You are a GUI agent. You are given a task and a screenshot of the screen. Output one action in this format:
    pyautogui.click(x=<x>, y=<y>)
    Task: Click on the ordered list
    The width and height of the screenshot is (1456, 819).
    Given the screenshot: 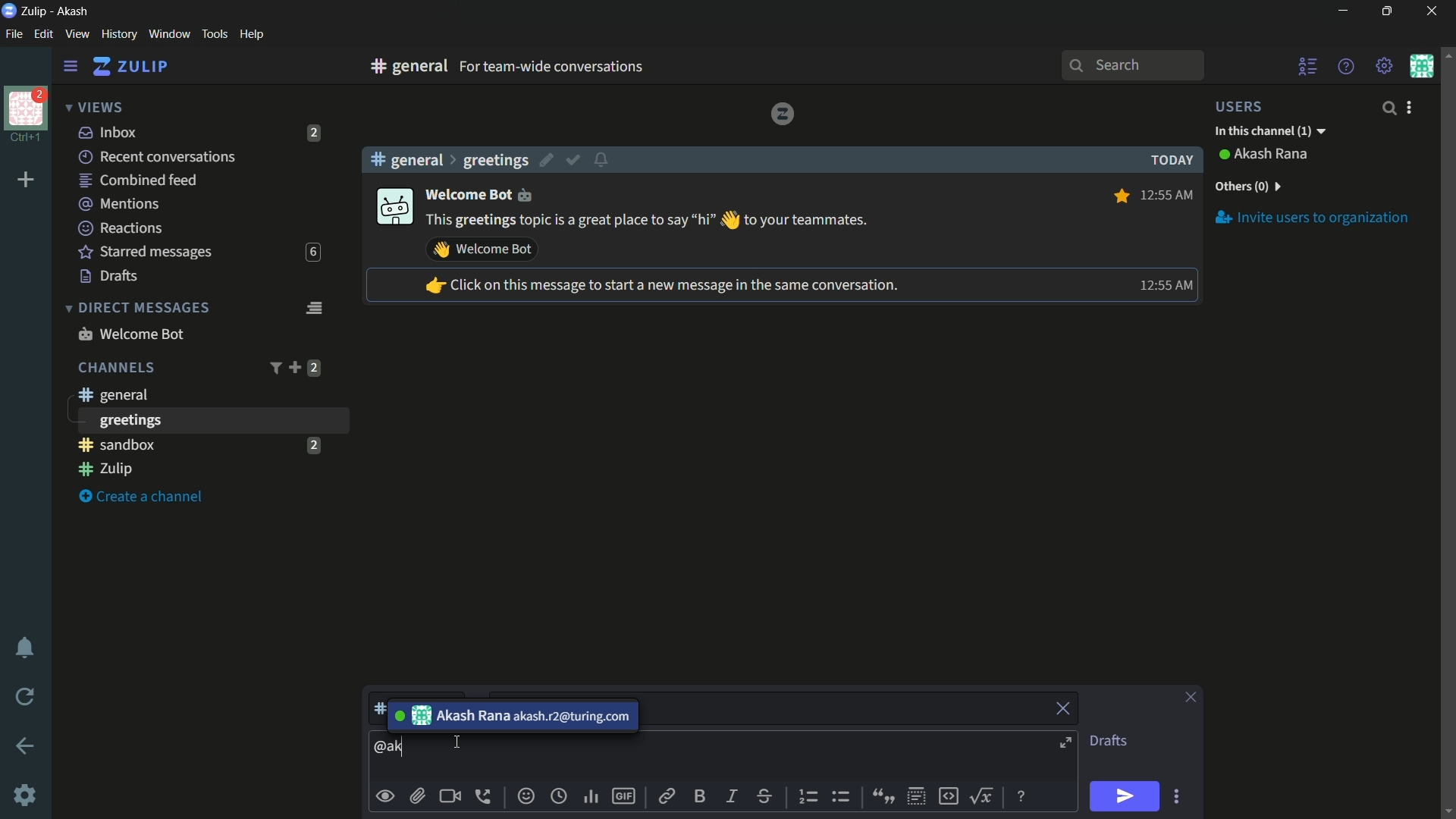 What is the action you would take?
    pyautogui.click(x=811, y=797)
    